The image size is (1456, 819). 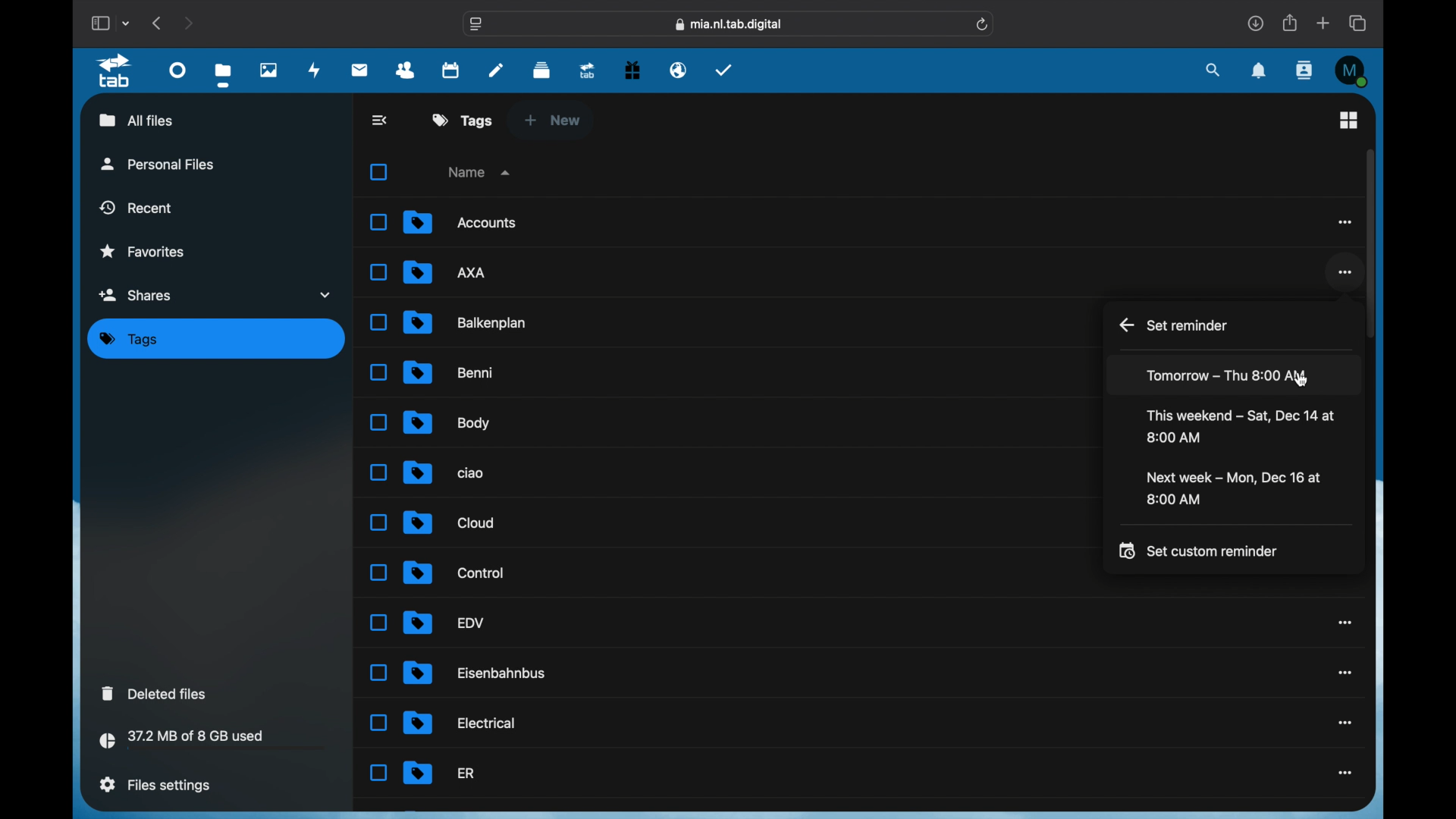 I want to click on Unselected Checkbox, so click(x=379, y=221).